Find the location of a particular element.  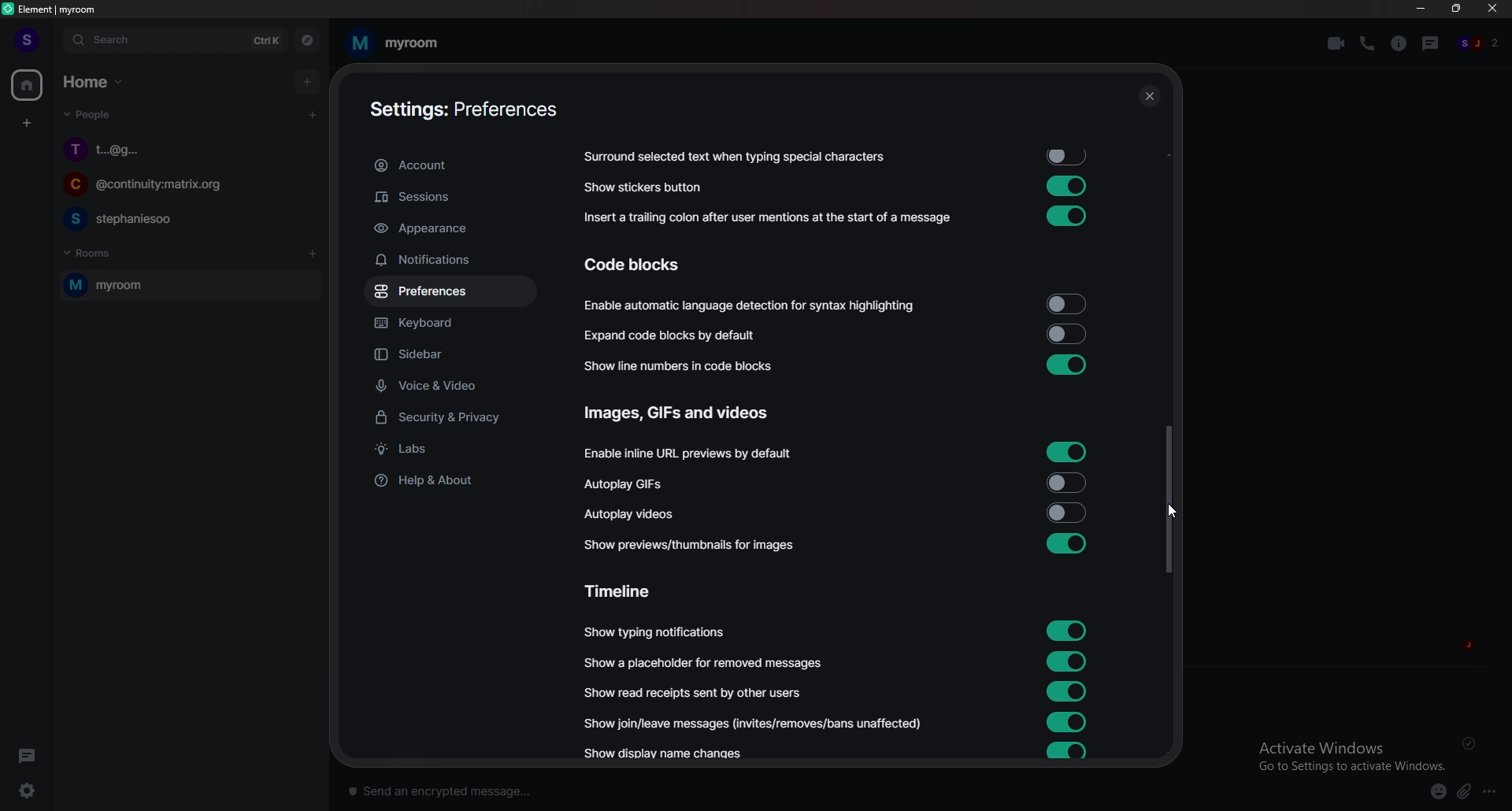

show read rceipts send by other users is located at coordinates (695, 692).